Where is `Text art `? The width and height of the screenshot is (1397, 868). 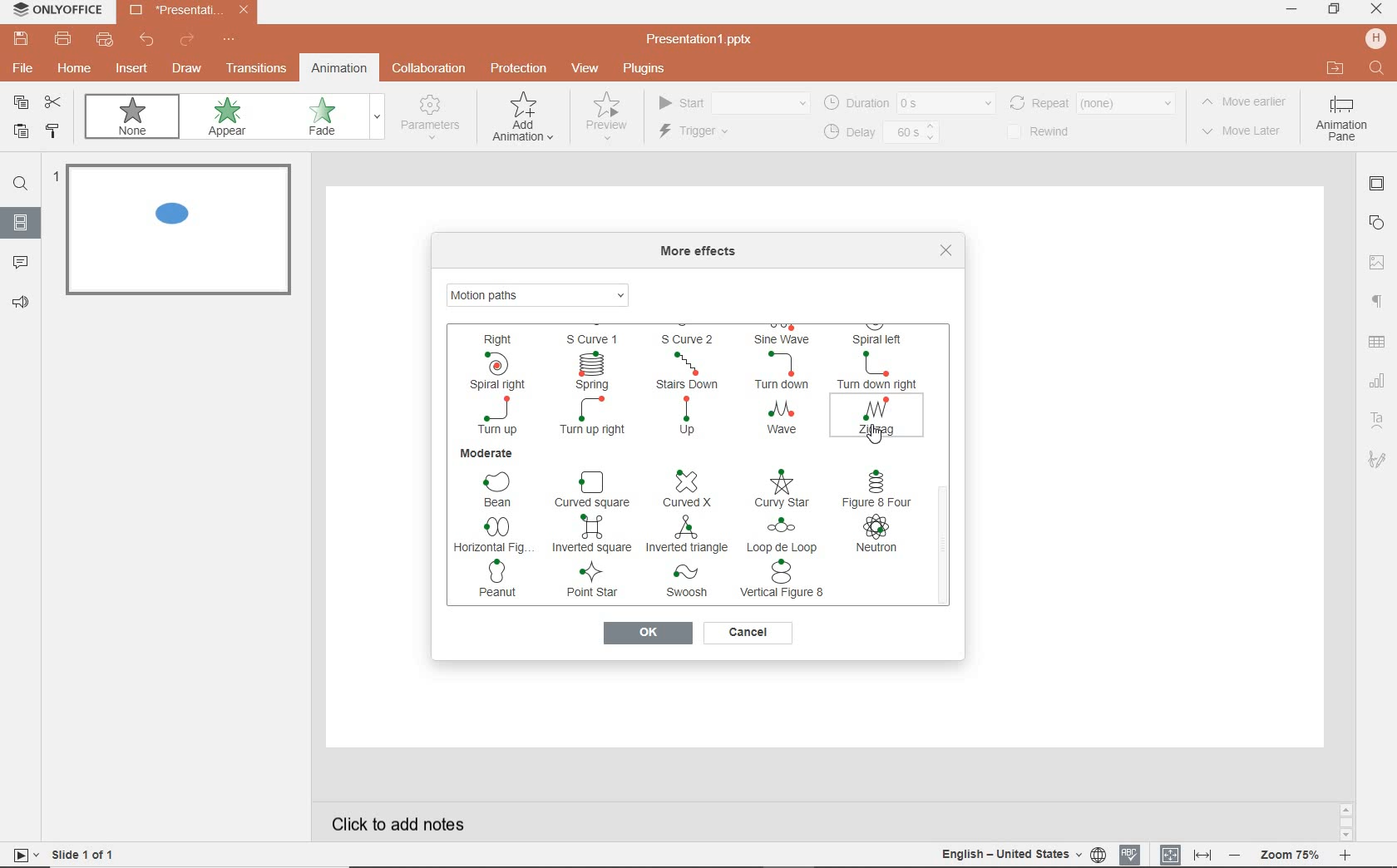 Text art  is located at coordinates (1375, 418).